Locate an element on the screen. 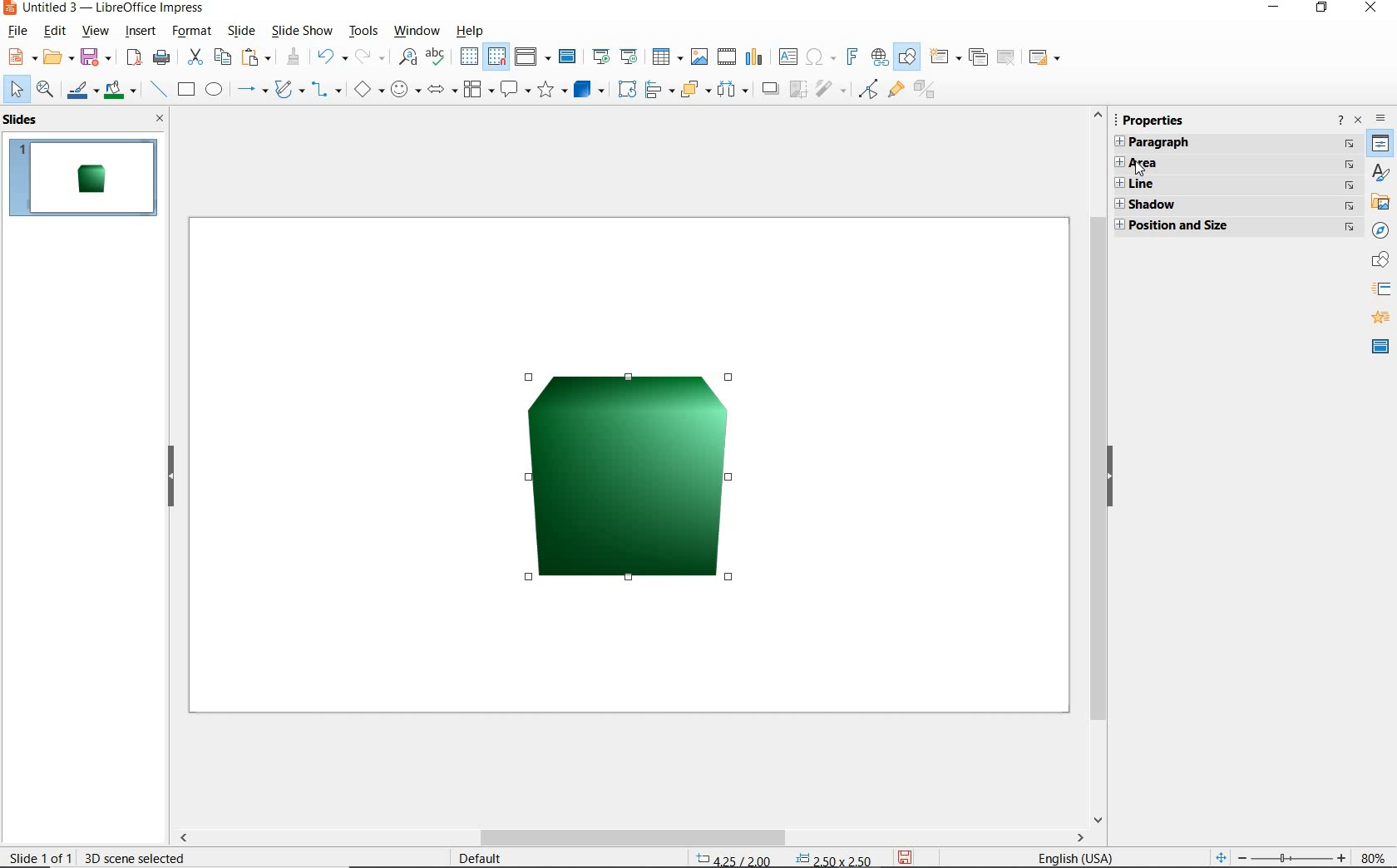 Image resolution: width=1397 pixels, height=868 pixels. display grid is located at coordinates (468, 57).